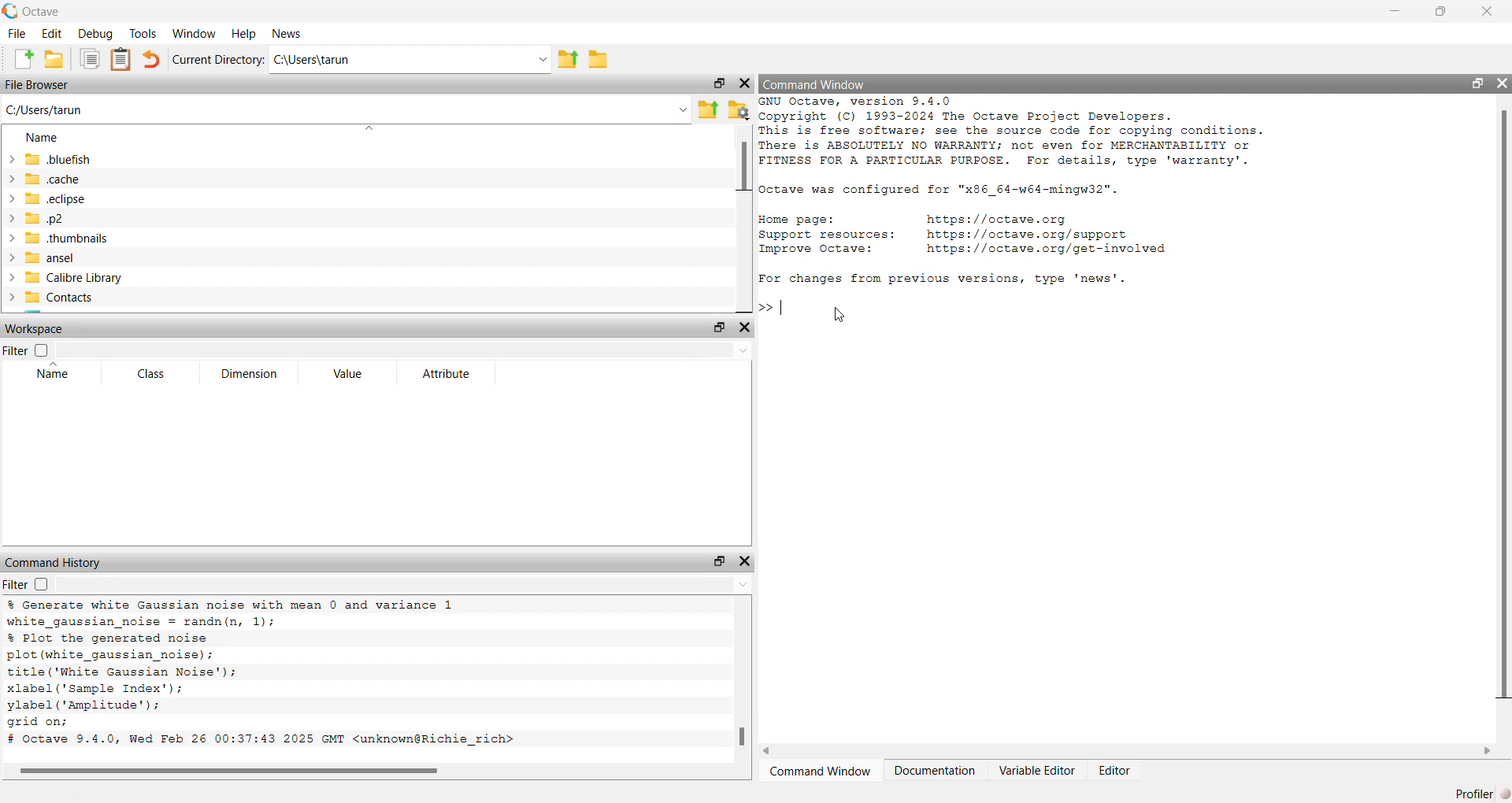  I want to click on File Browser, so click(44, 83).